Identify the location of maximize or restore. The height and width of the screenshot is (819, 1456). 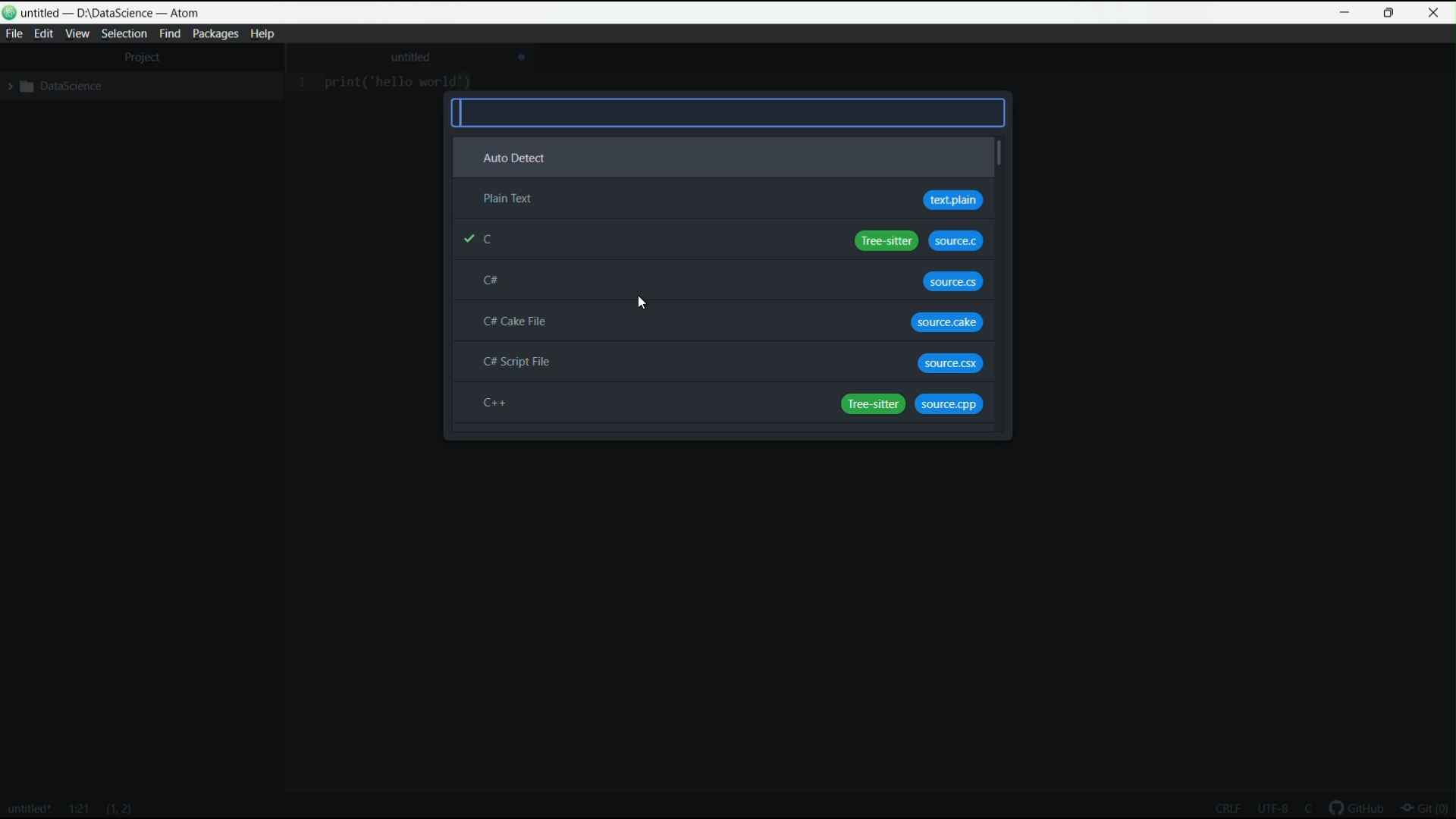
(1389, 13).